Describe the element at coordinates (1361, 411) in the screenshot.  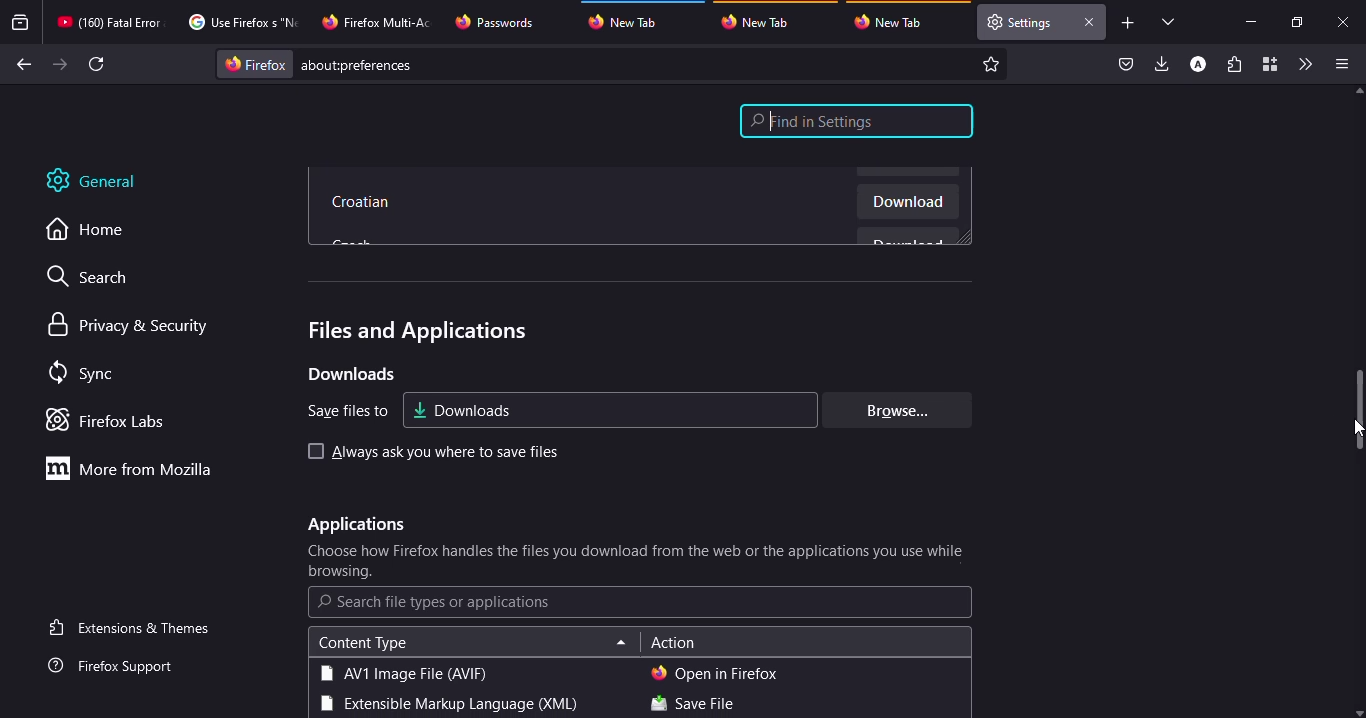
I see `drag to` at that location.